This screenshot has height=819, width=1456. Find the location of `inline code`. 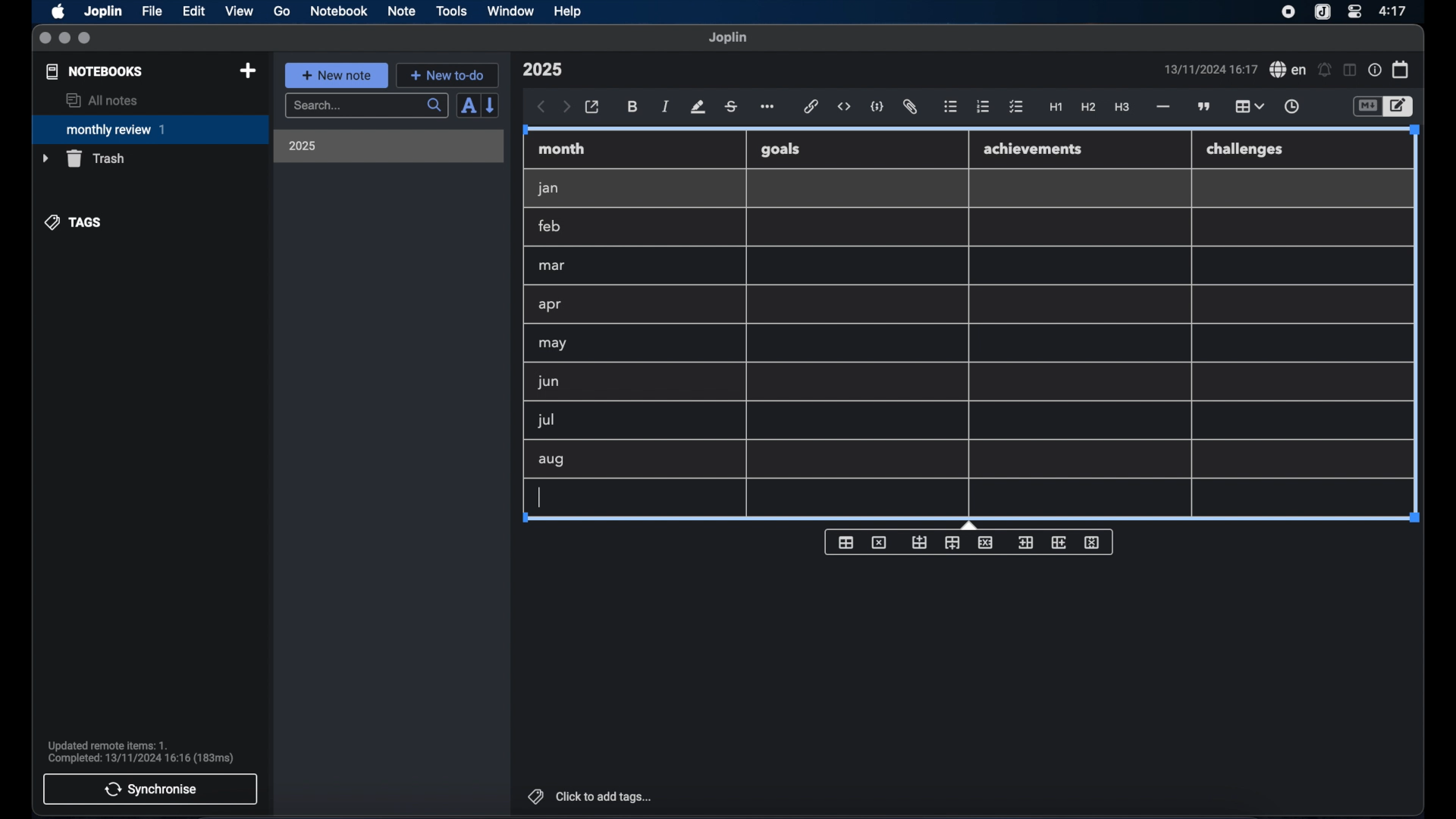

inline code is located at coordinates (844, 107).